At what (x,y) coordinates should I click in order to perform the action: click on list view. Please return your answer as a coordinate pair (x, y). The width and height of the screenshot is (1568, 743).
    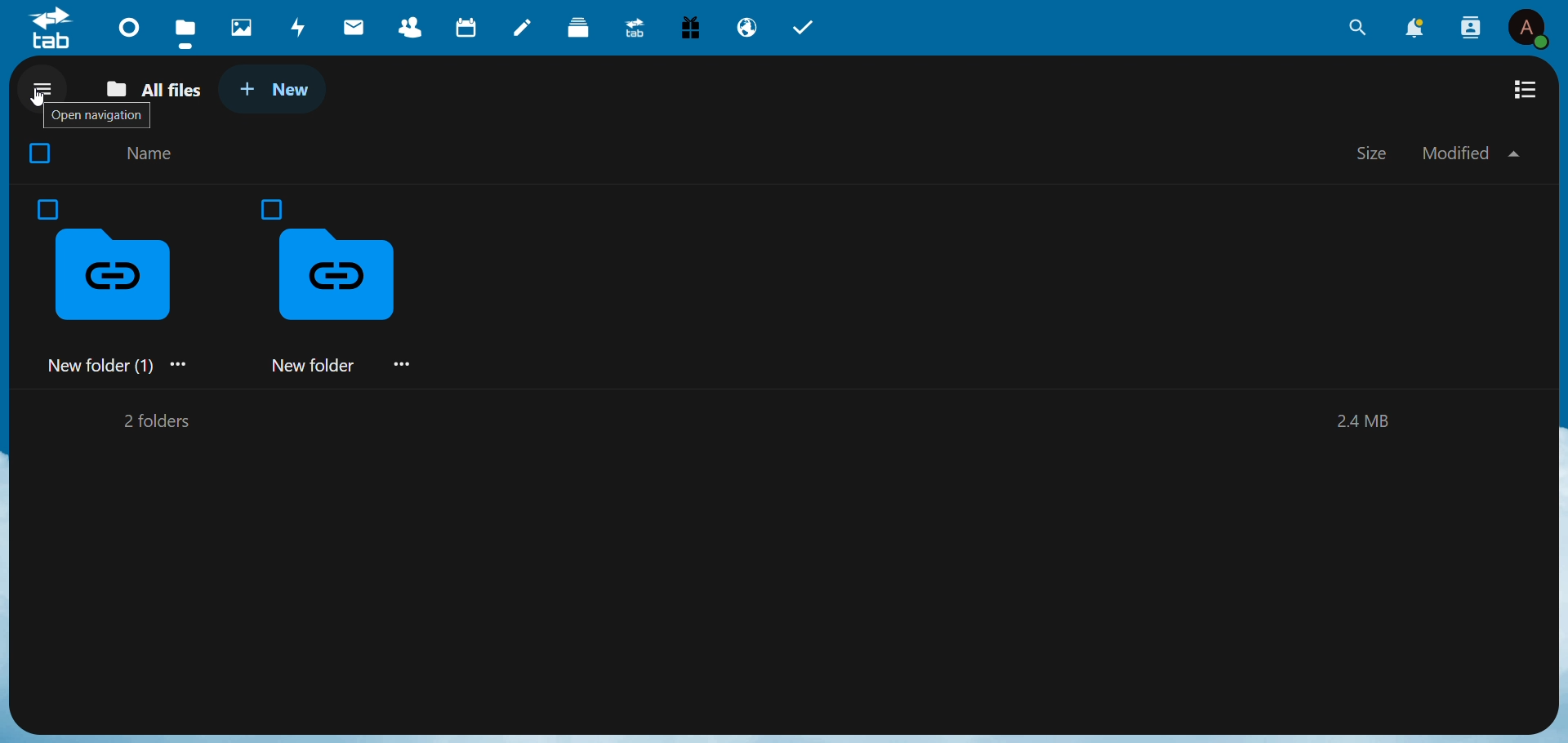
    Looking at the image, I should click on (1528, 90).